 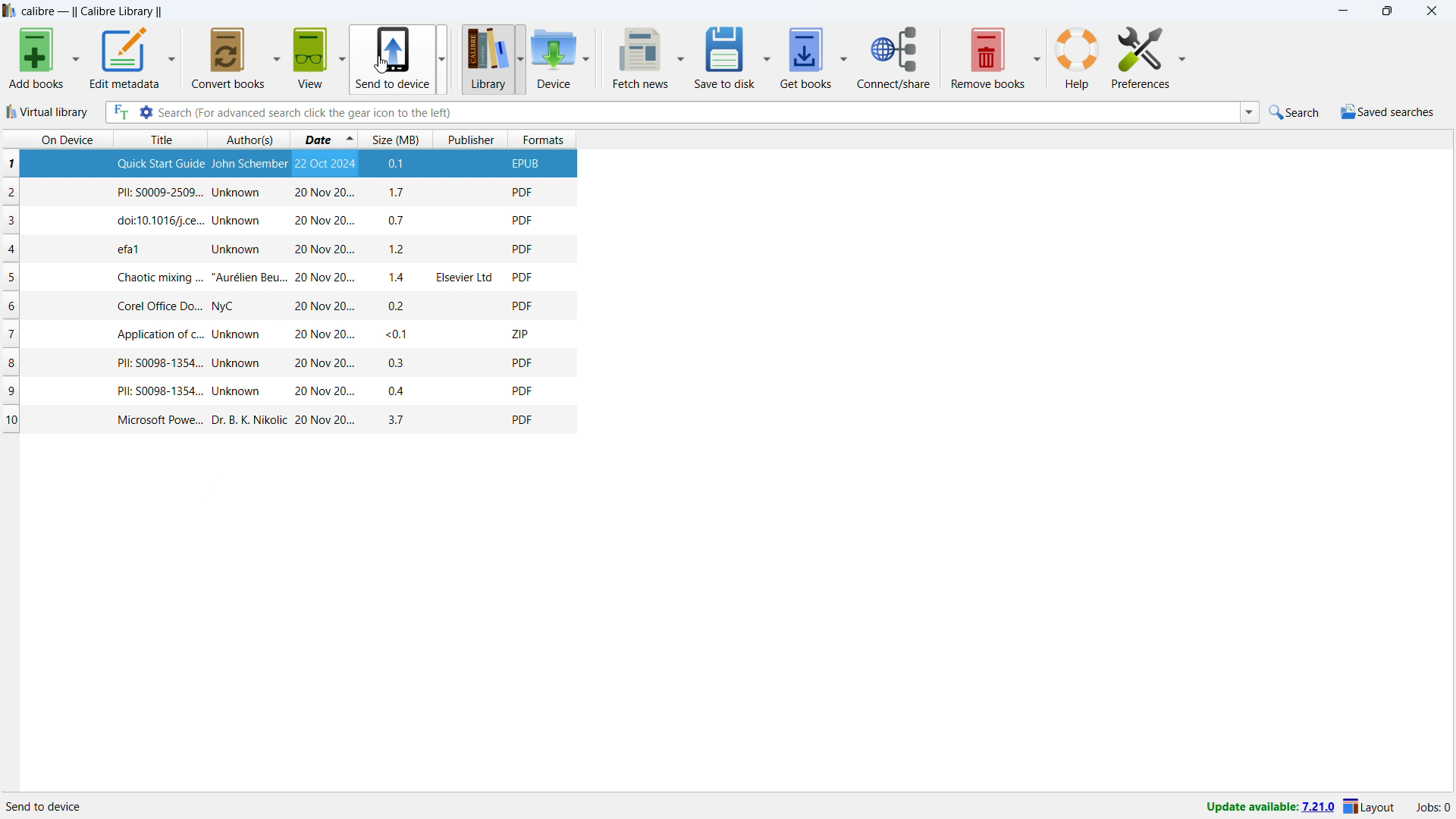 I want to click on details of software, so click(x=140, y=807).